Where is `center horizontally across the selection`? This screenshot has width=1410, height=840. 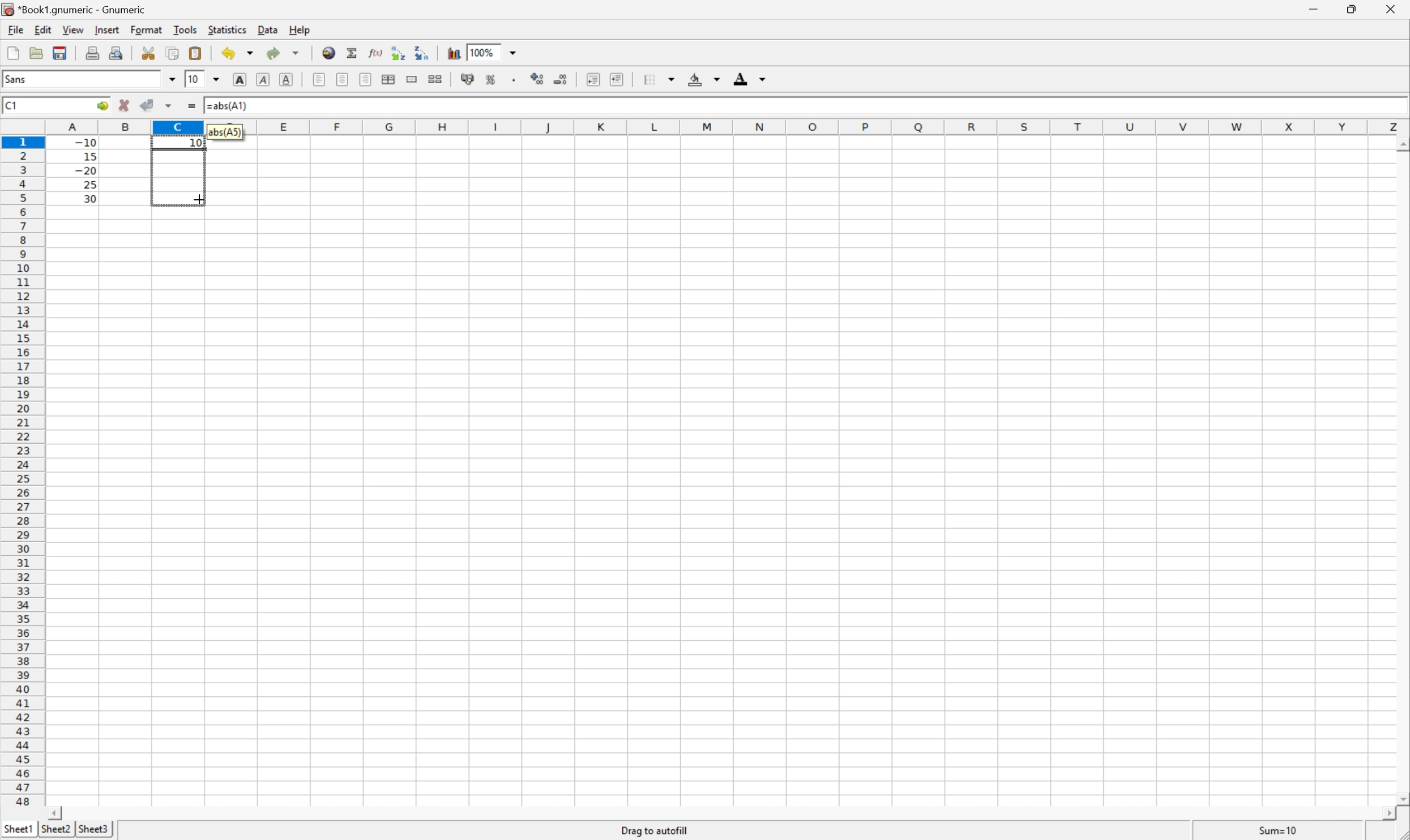 center horizontally across the selection is located at coordinates (390, 80).